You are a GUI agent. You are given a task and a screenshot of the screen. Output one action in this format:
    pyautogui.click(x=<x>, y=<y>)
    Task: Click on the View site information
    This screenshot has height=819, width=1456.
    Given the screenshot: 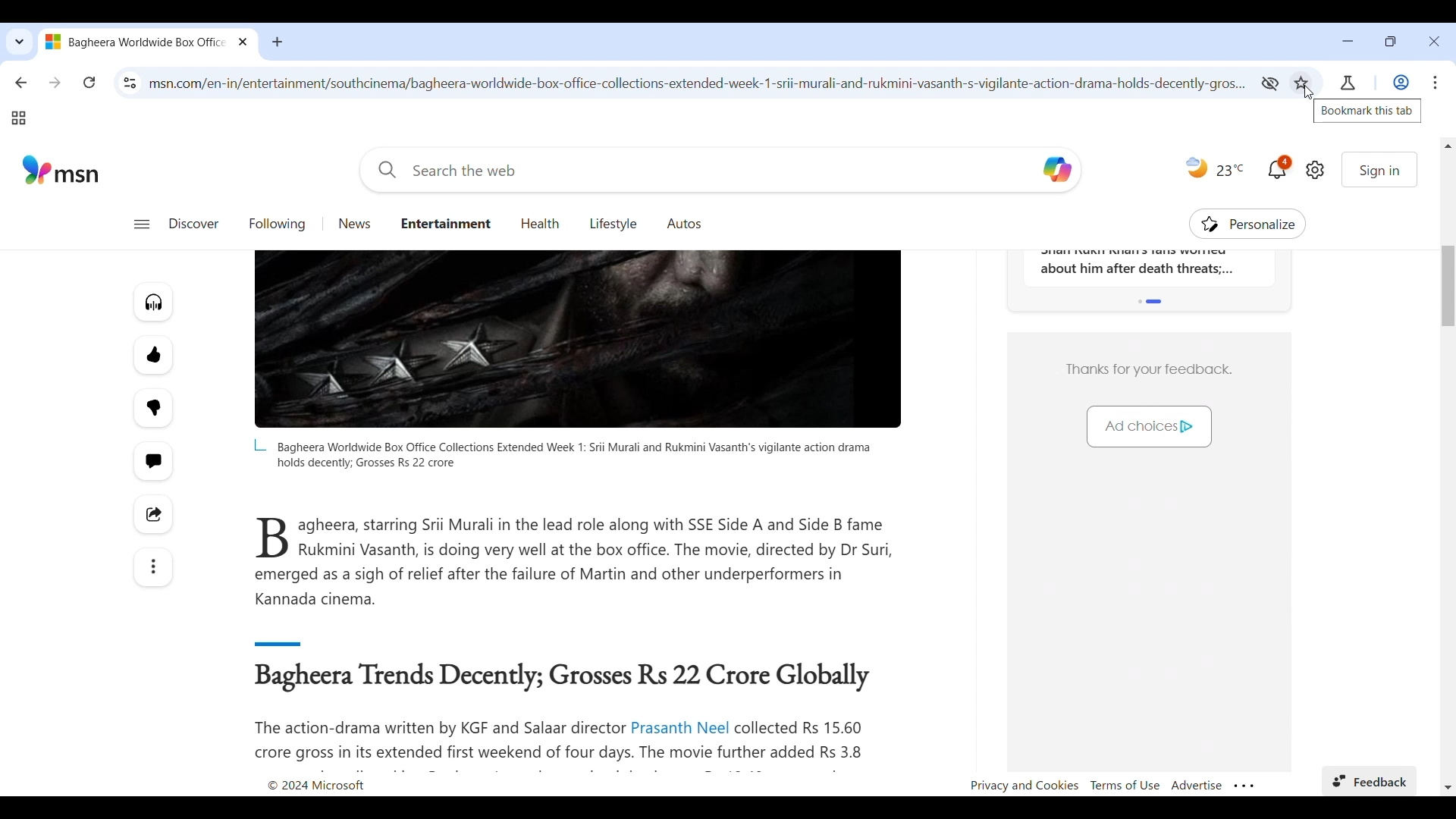 What is the action you would take?
    pyautogui.click(x=130, y=83)
    